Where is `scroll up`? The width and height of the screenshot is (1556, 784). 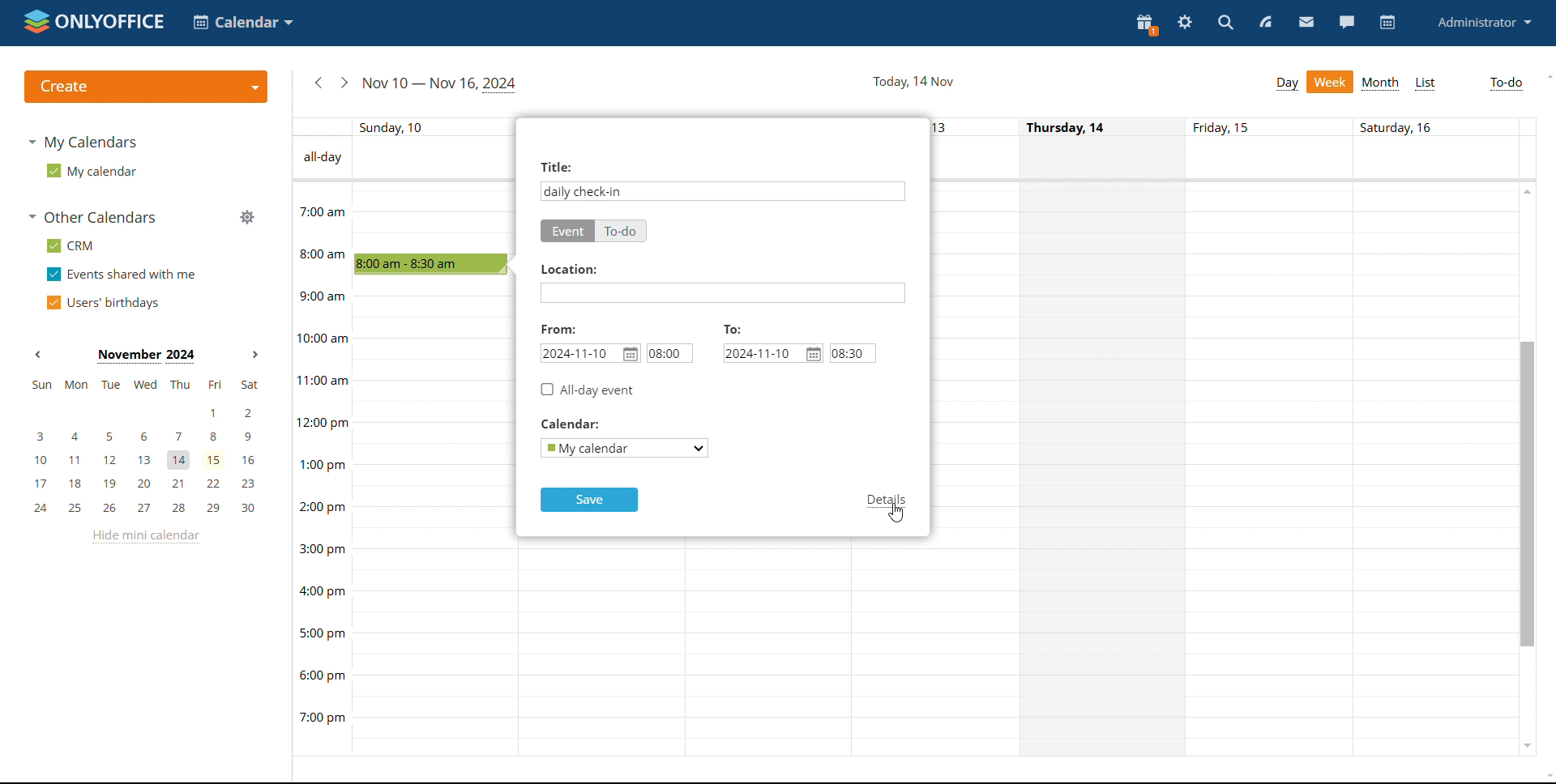 scroll up is located at coordinates (1526, 192).